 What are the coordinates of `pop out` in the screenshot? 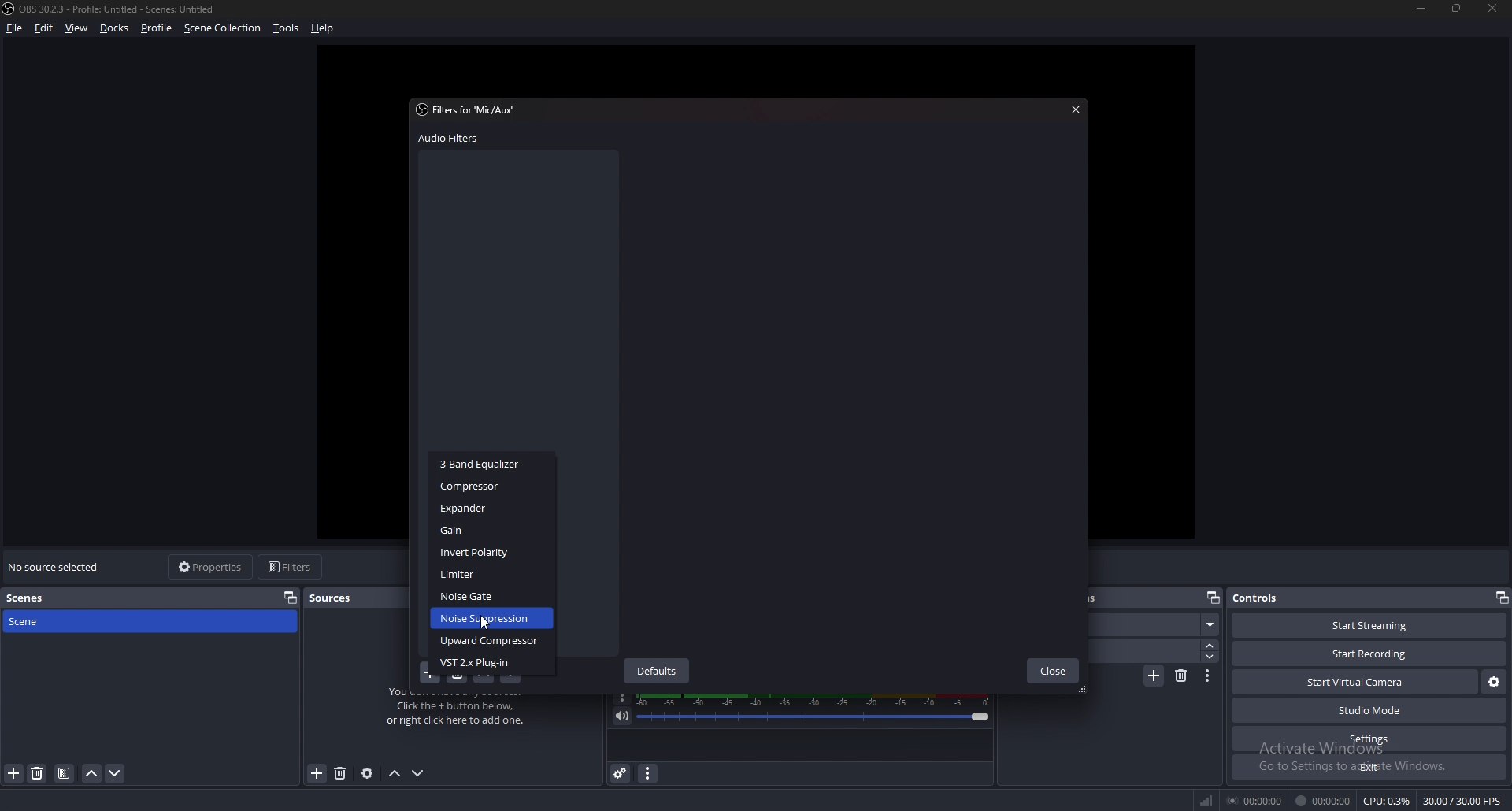 It's located at (1212, 598).